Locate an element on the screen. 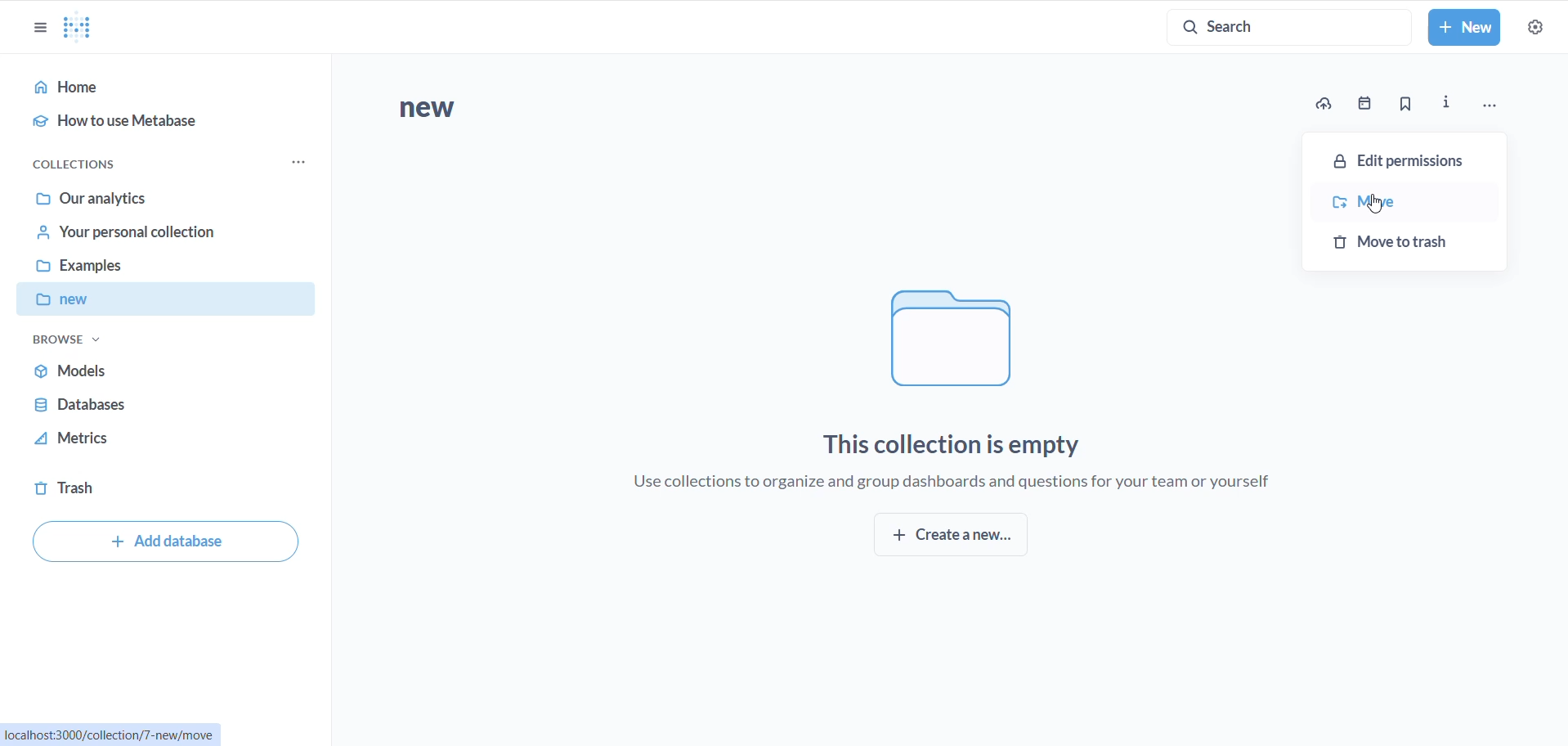 The width and height of the screenshot is (1568, 746). more options is located at coordinates (1498, 106).